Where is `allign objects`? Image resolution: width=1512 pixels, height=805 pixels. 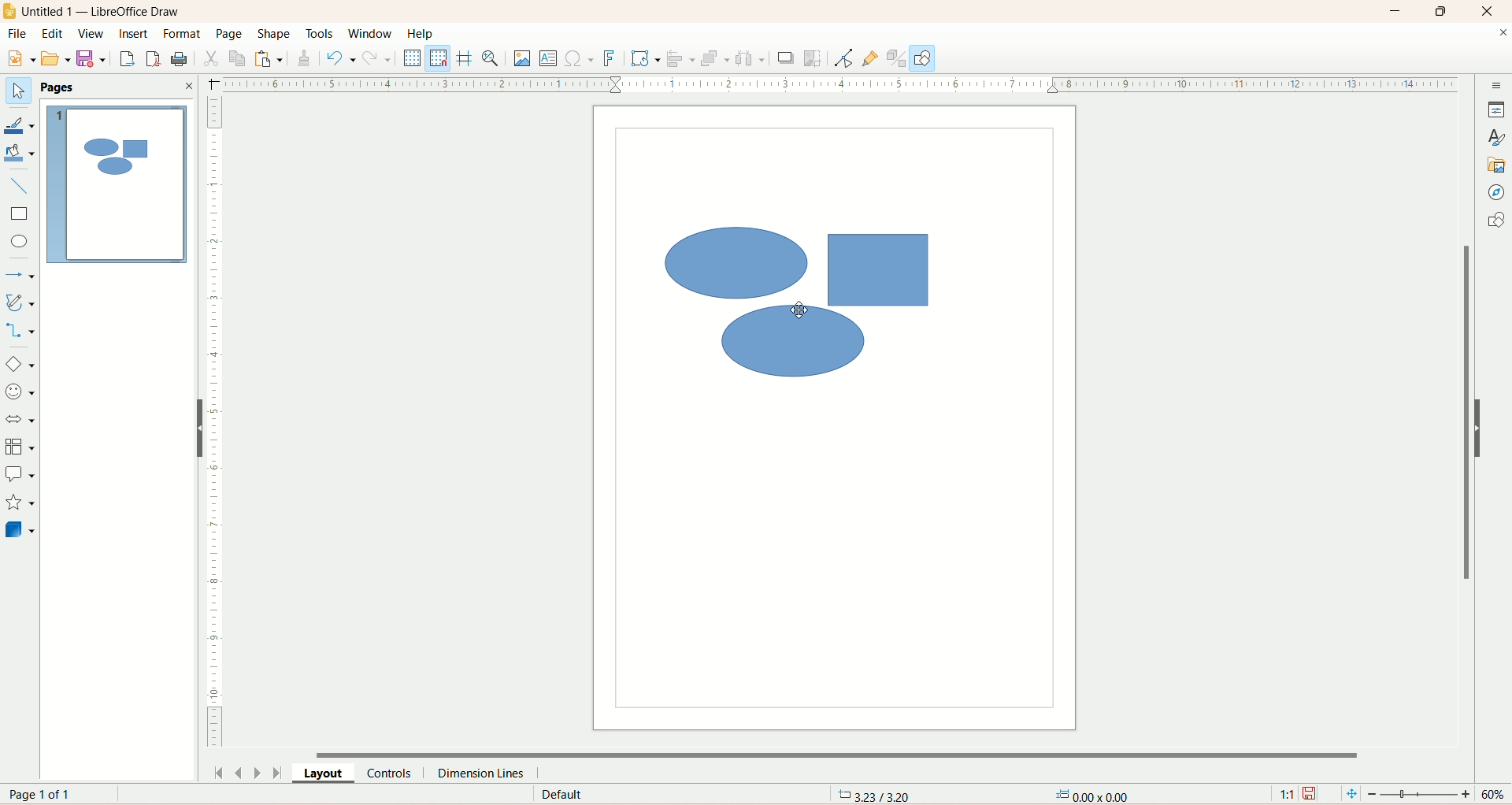
allign objects is located at coordinates (680, 57).